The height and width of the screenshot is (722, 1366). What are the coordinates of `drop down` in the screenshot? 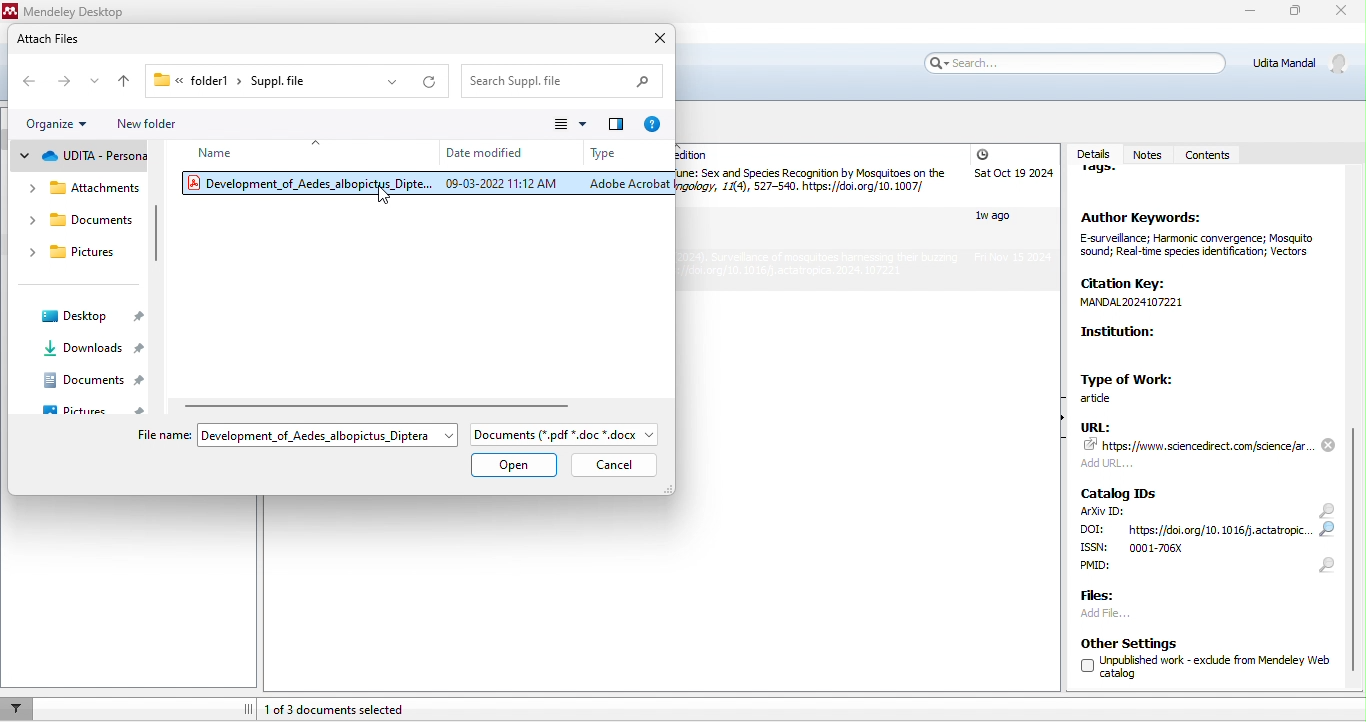 It's located at (318, 141).